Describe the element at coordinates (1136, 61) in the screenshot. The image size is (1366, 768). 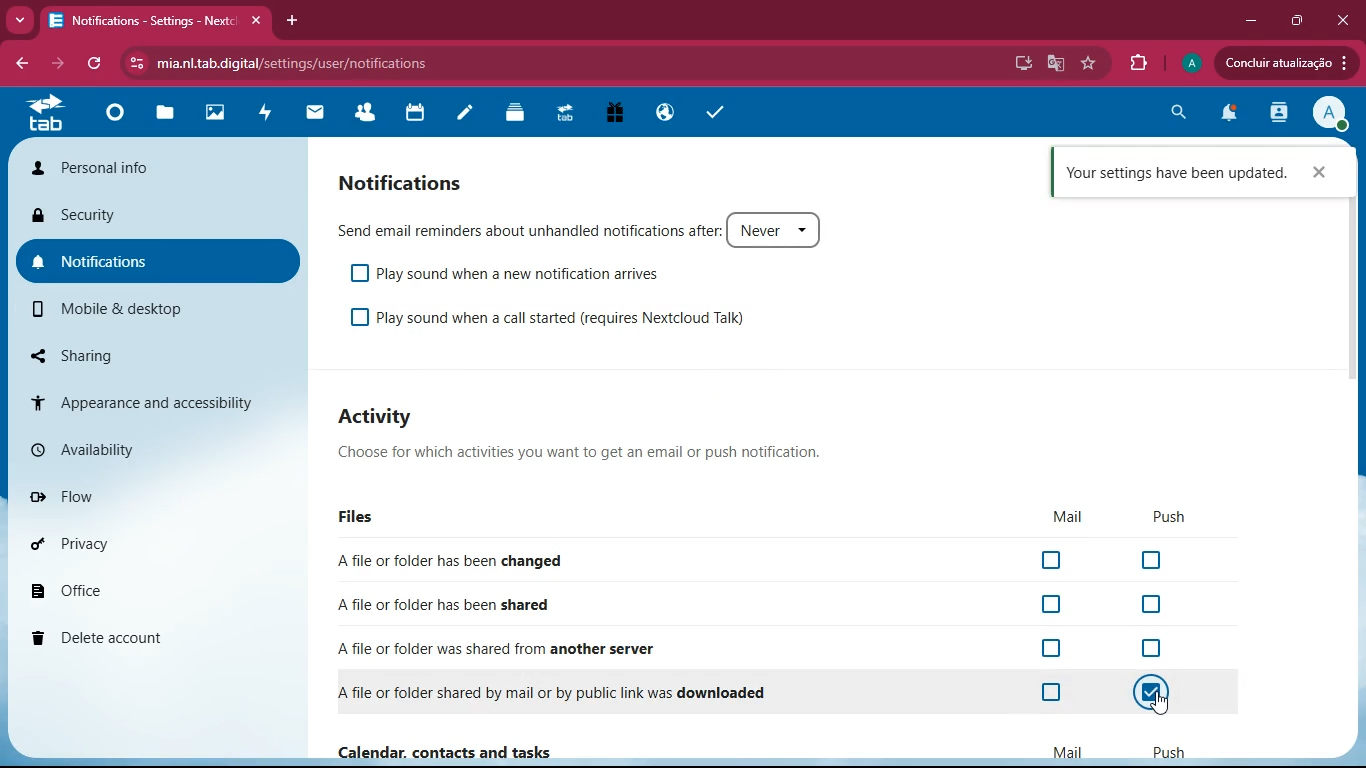
I see `extensions` at that location.